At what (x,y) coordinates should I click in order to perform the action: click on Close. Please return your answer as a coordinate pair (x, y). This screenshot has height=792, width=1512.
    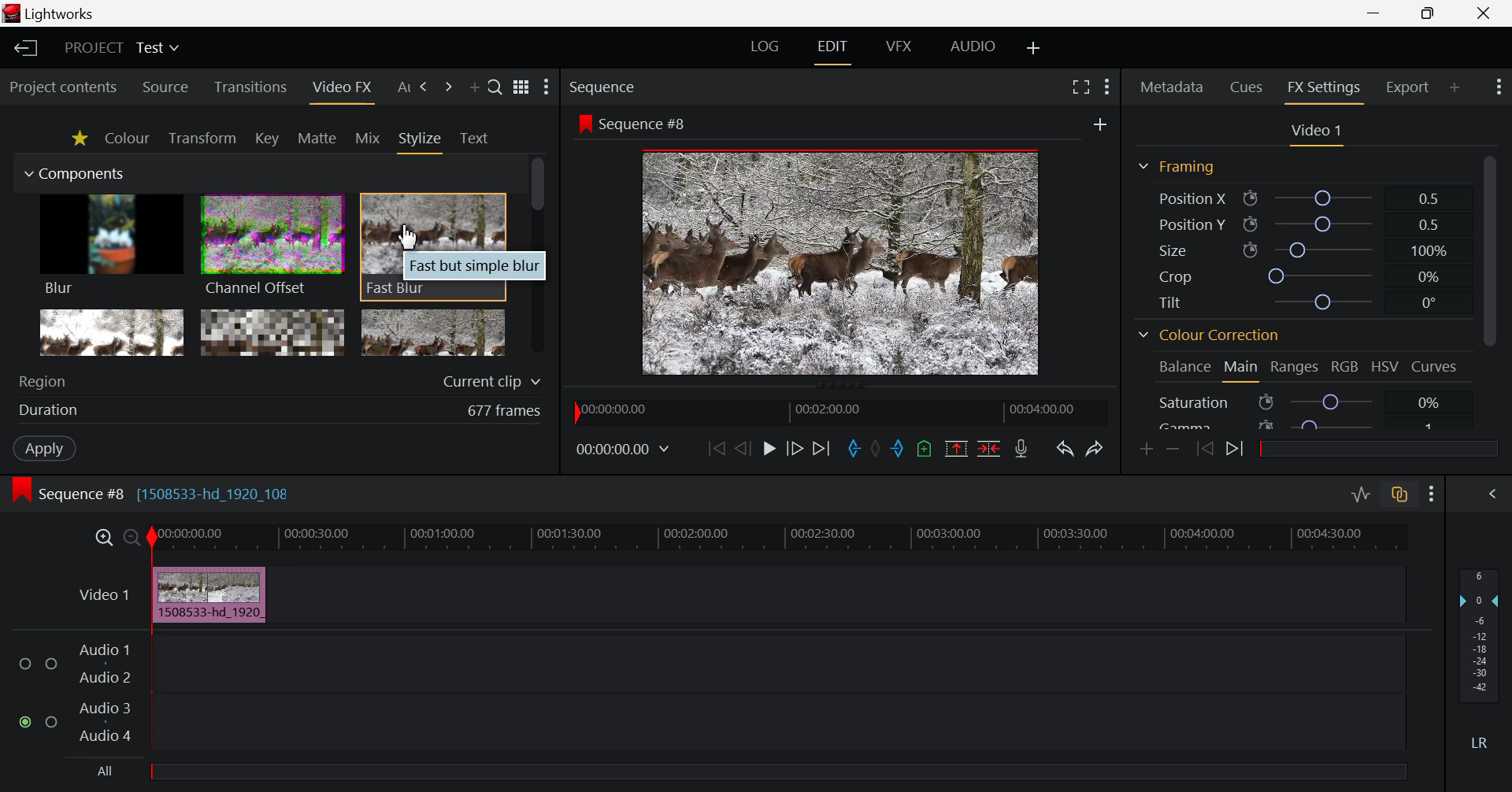
    Looking at the image, I should click on (1483, 13).